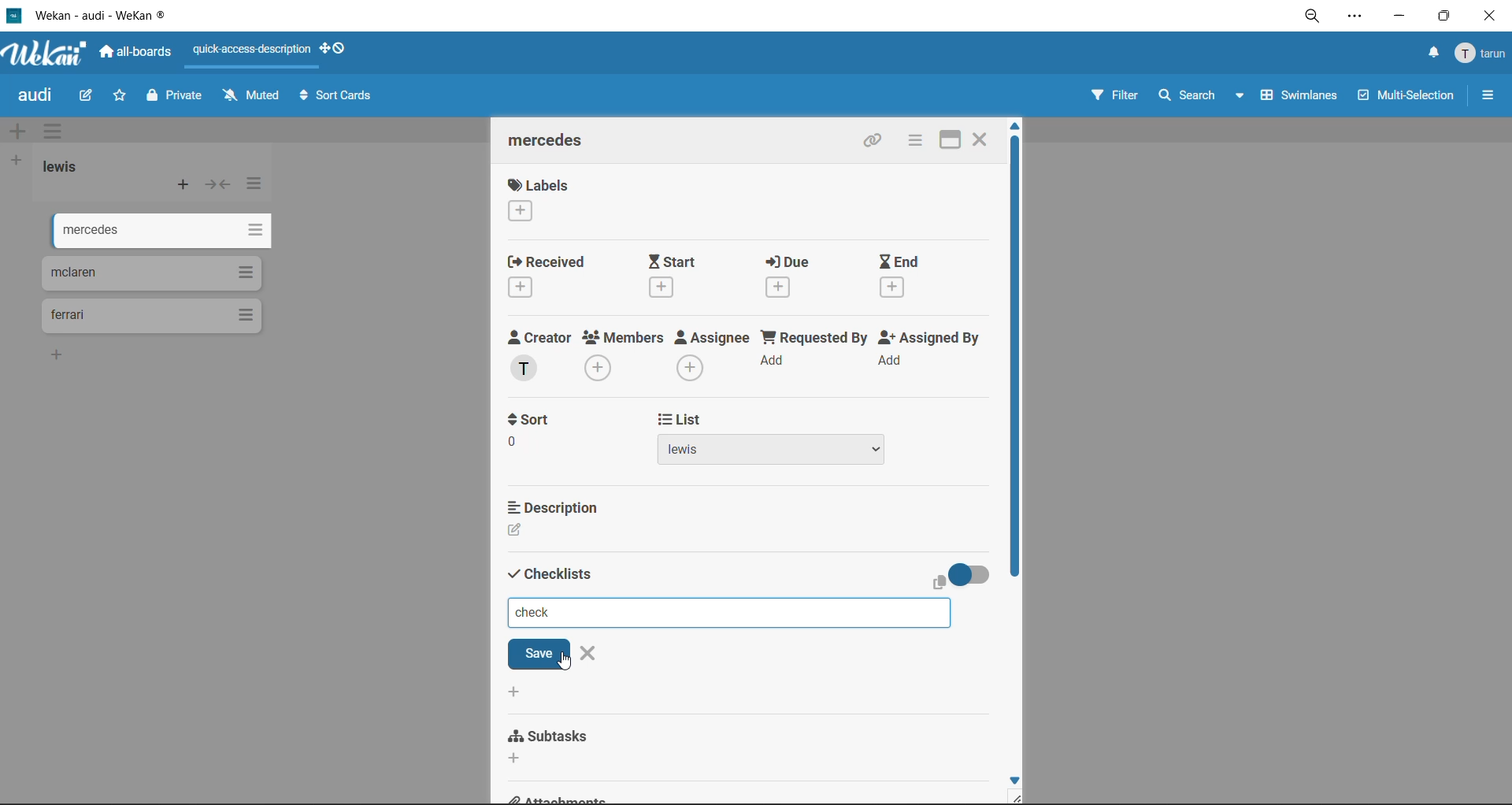  Describe the element at coordinates (159, 315) in the screenshot. I see `cards` at that location.